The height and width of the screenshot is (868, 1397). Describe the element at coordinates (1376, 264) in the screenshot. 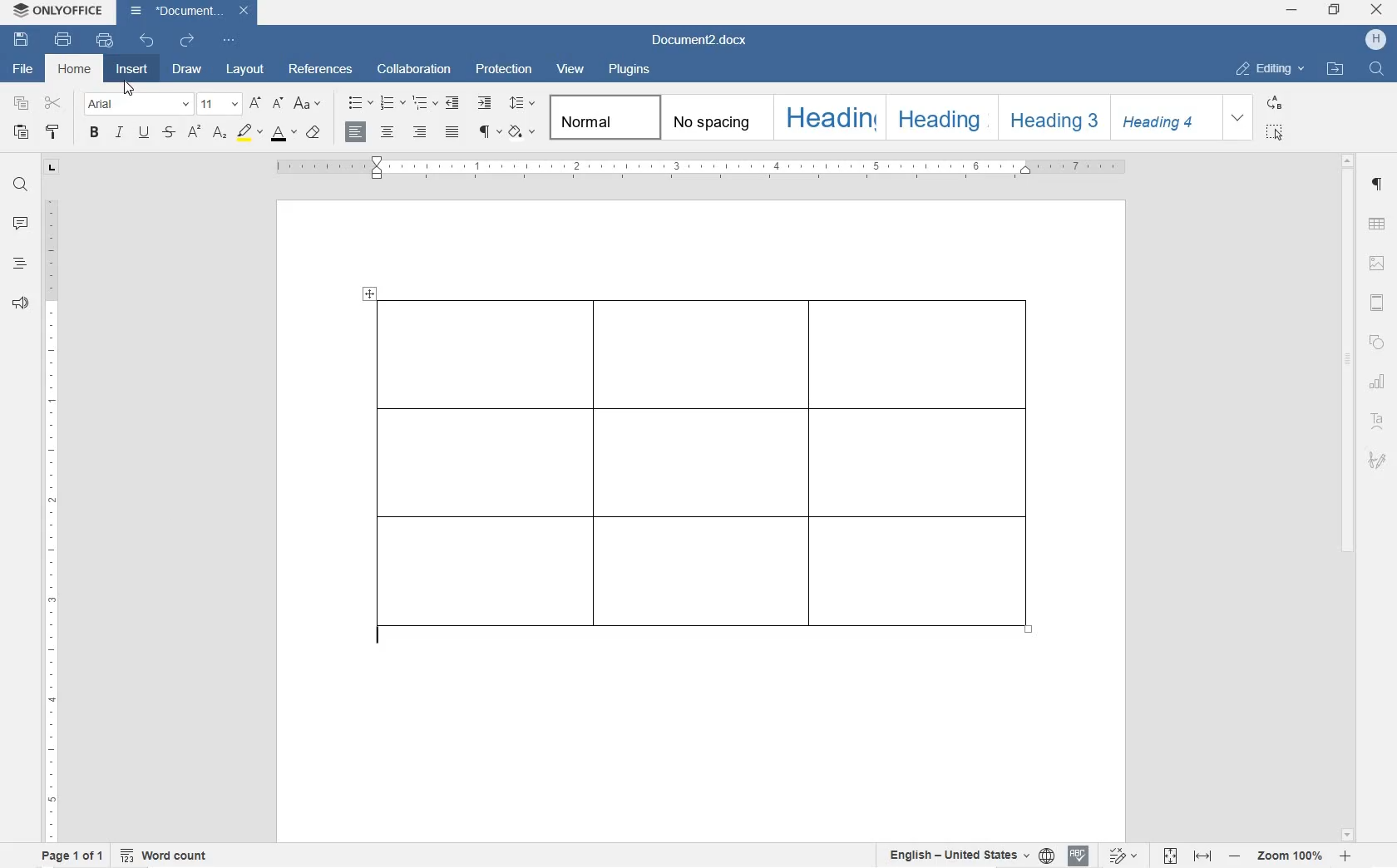

I see `image settings` at that location.